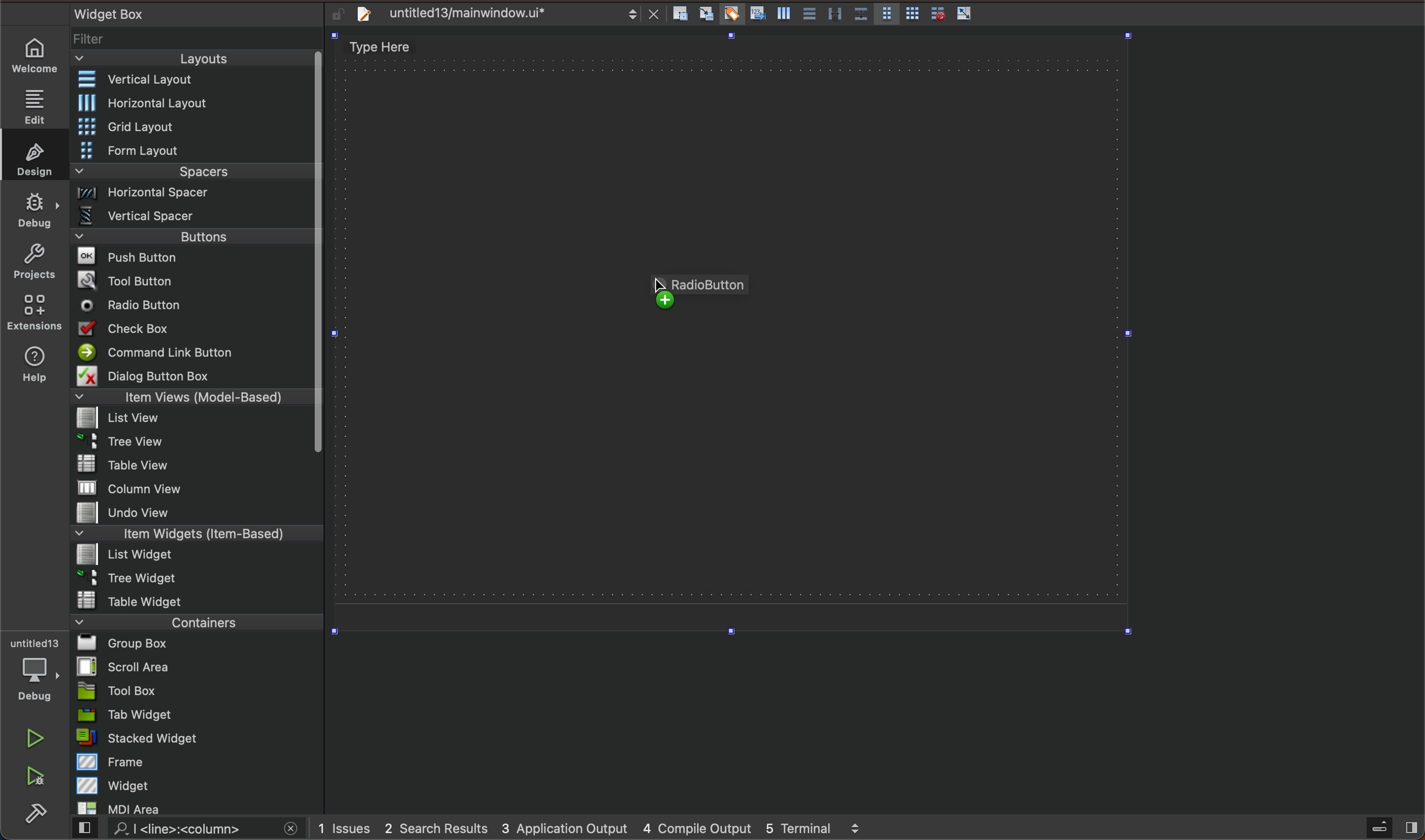 Image resolution: width=1425 pixels, height=840 pixels. I want to click on dialong button, so click(194, 378).